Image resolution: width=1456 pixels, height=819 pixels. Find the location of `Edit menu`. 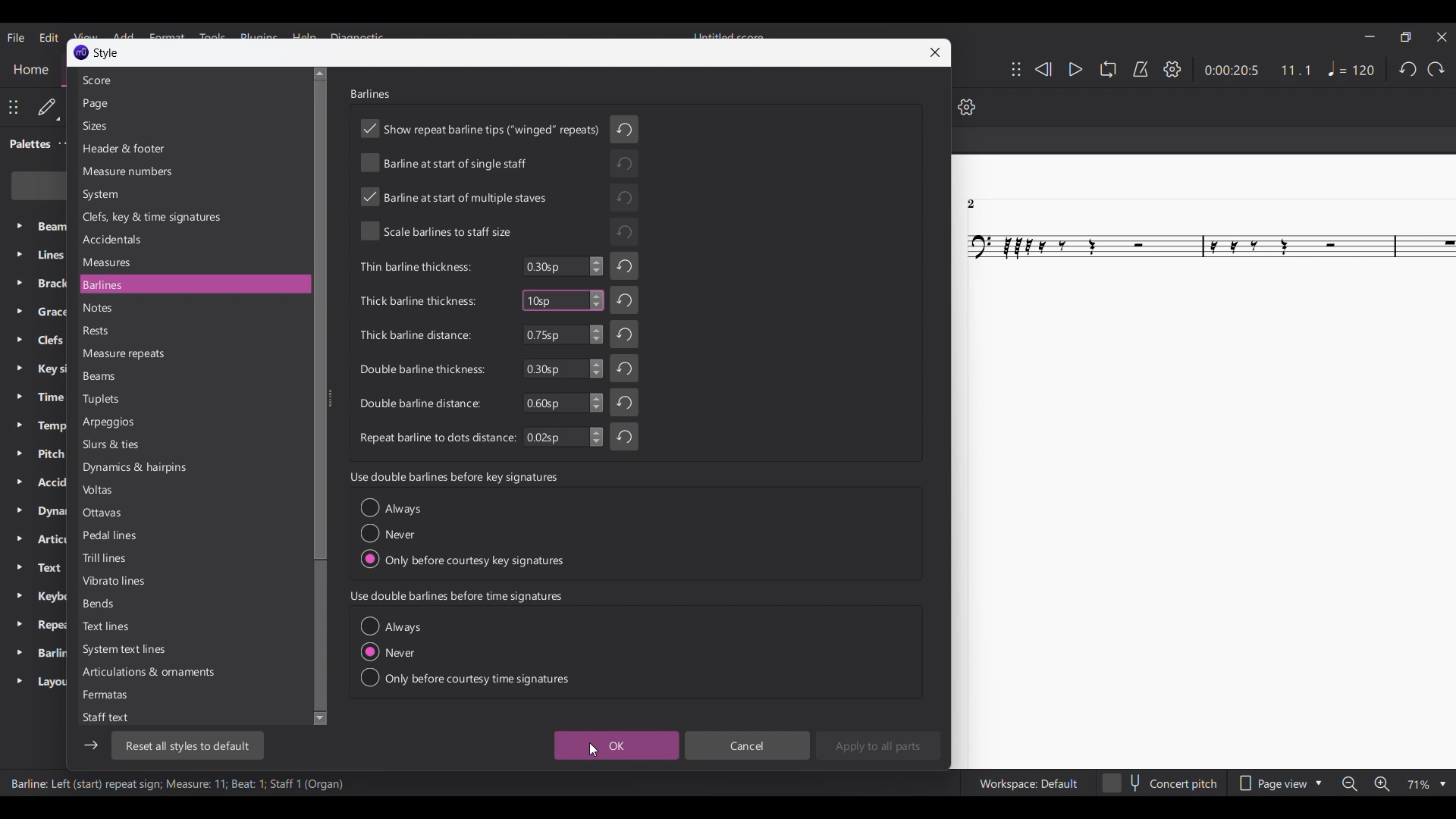

Edit menu is located at coordinates (50, 38).